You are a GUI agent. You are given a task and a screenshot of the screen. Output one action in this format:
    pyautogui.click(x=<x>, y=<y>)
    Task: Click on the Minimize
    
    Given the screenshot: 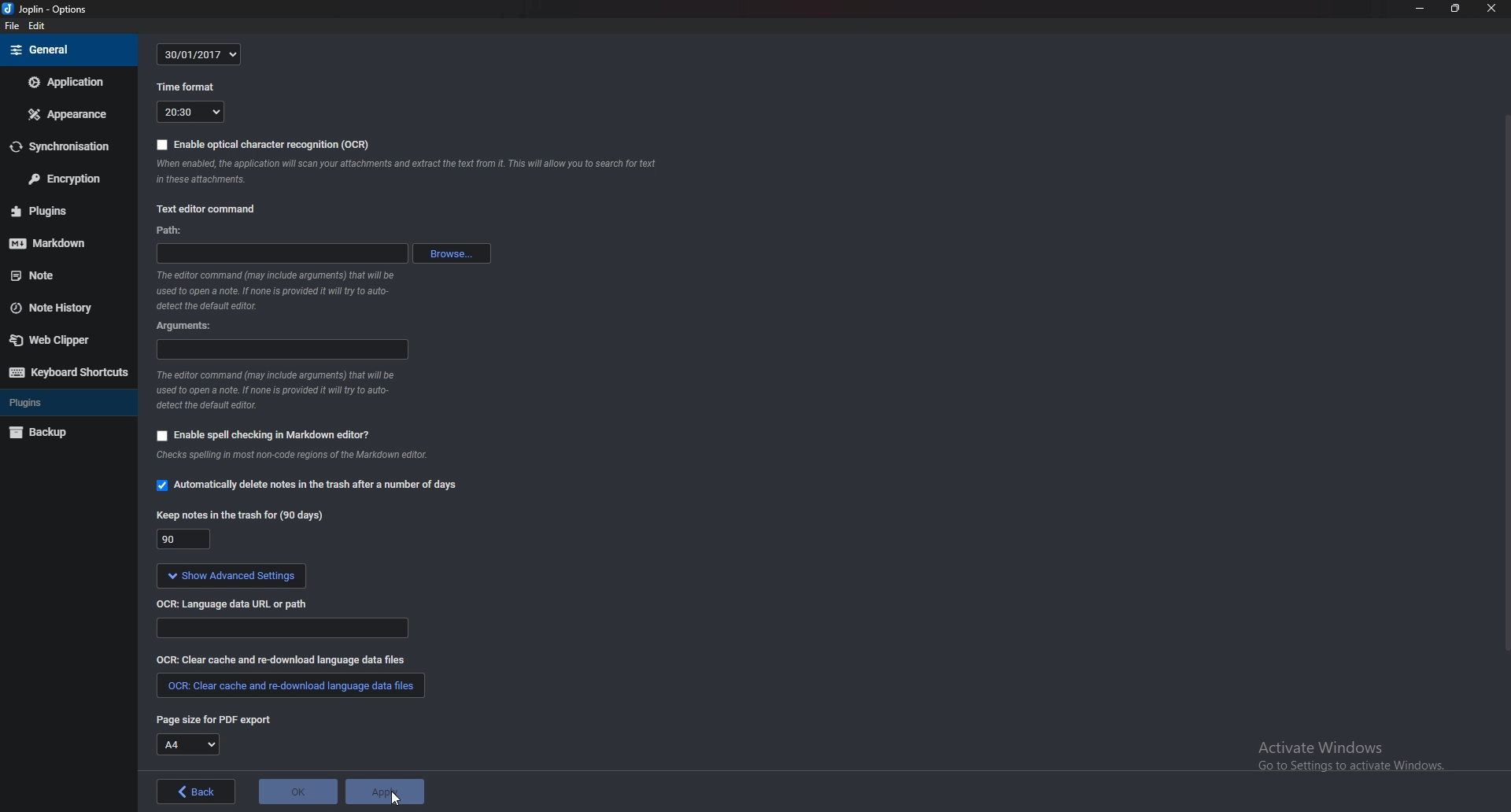 What is the action you would take?
    pyautogui.click(x=1421, y=9)
    